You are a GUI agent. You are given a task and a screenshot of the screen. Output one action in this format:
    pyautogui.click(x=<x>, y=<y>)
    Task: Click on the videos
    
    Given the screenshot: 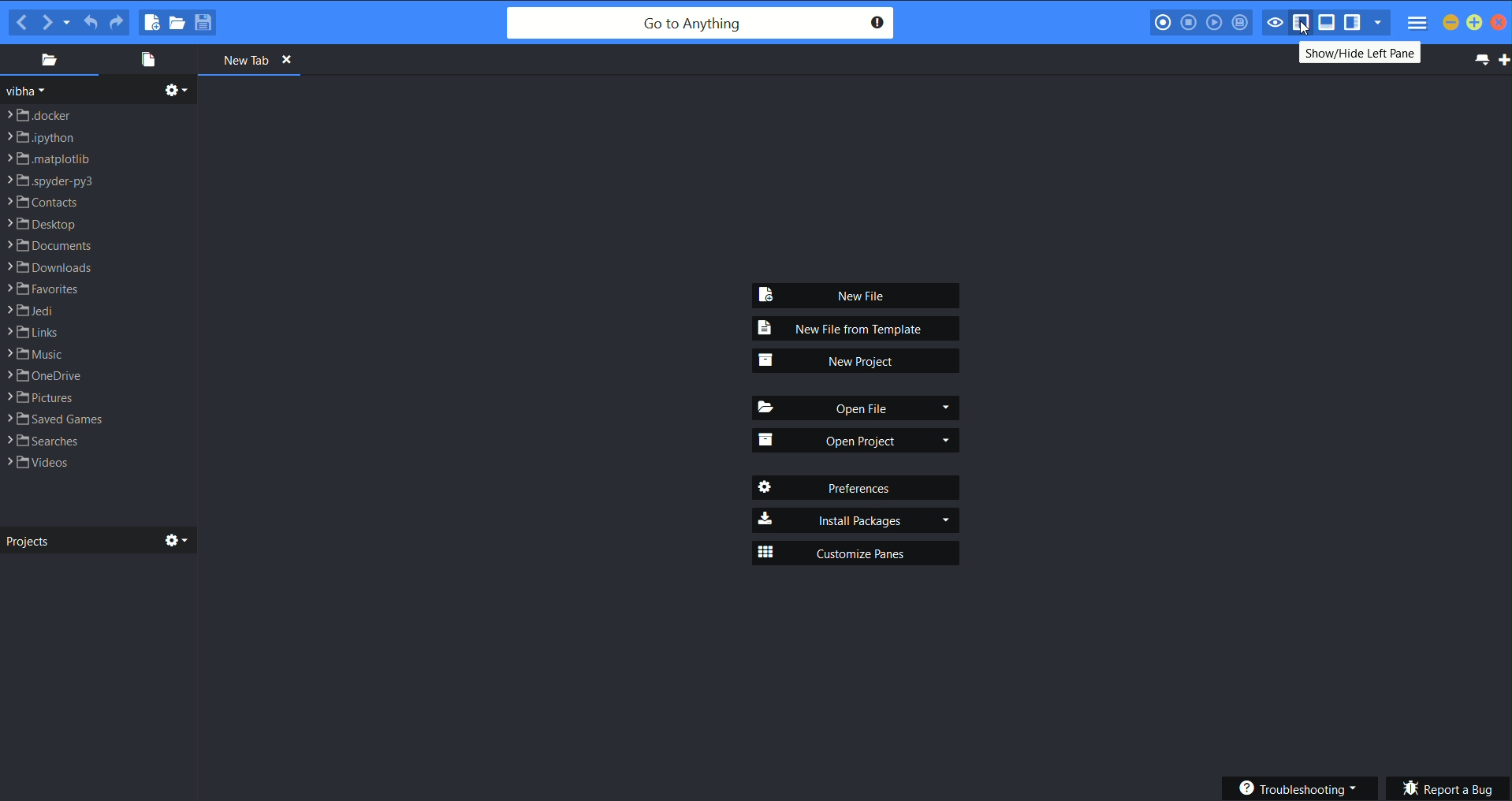 What is the action you would take?
    pyautogui.click(x=39, y=464)
    